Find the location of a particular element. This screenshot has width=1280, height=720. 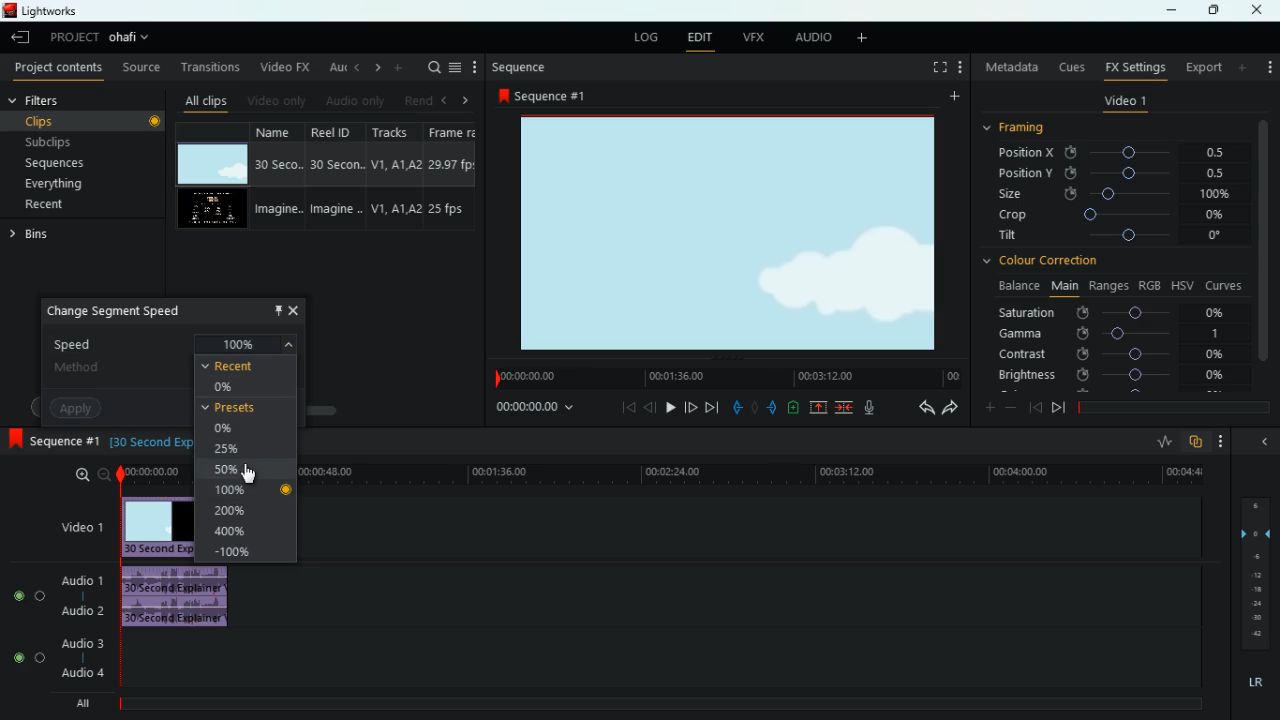

close is located at coordinates (294, 309).